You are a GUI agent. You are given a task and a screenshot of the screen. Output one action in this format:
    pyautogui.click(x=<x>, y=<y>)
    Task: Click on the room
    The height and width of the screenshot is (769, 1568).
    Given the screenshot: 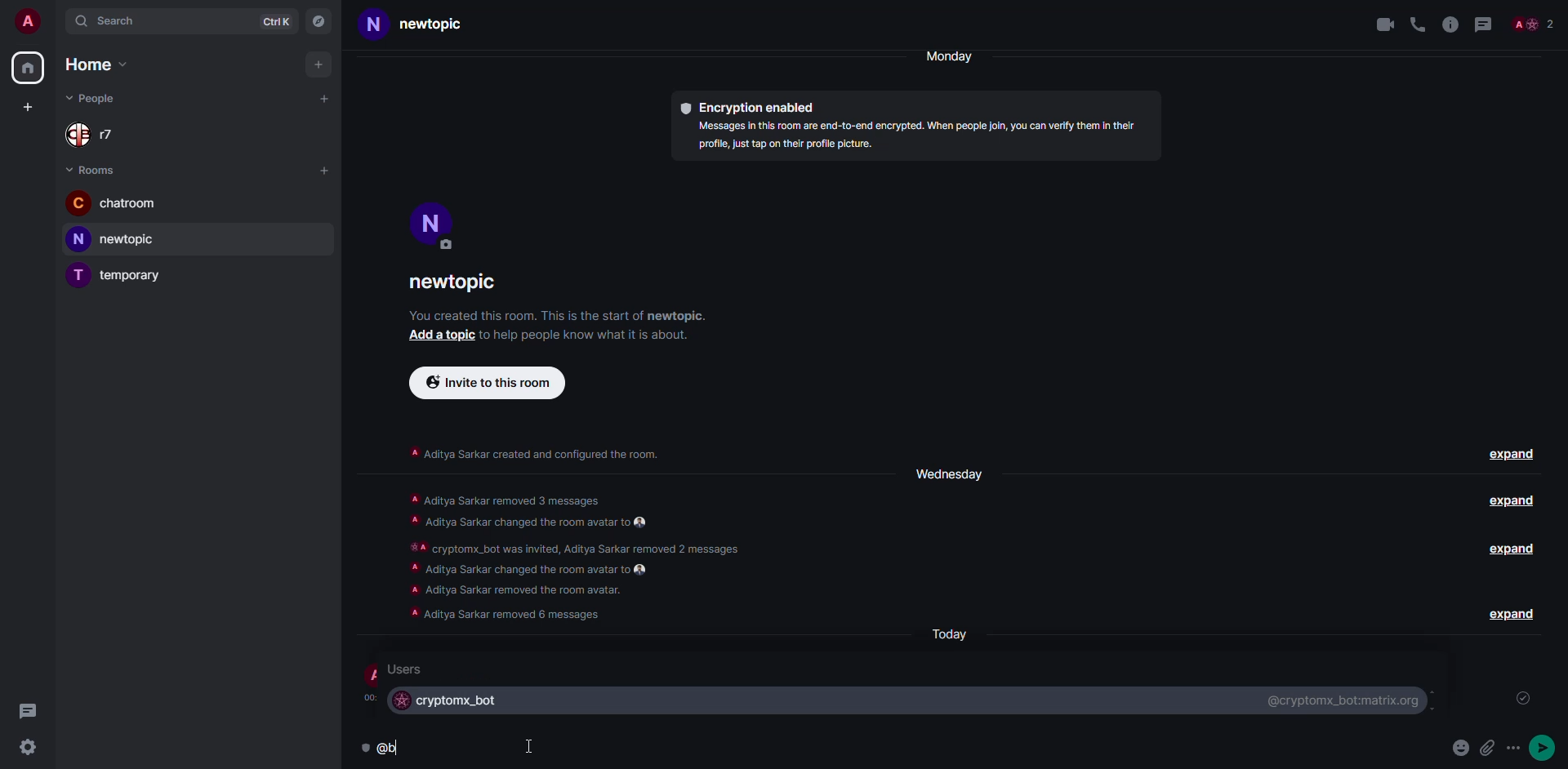 What is the action you would take?
    pyautogui.click(x=113, y=202)
    